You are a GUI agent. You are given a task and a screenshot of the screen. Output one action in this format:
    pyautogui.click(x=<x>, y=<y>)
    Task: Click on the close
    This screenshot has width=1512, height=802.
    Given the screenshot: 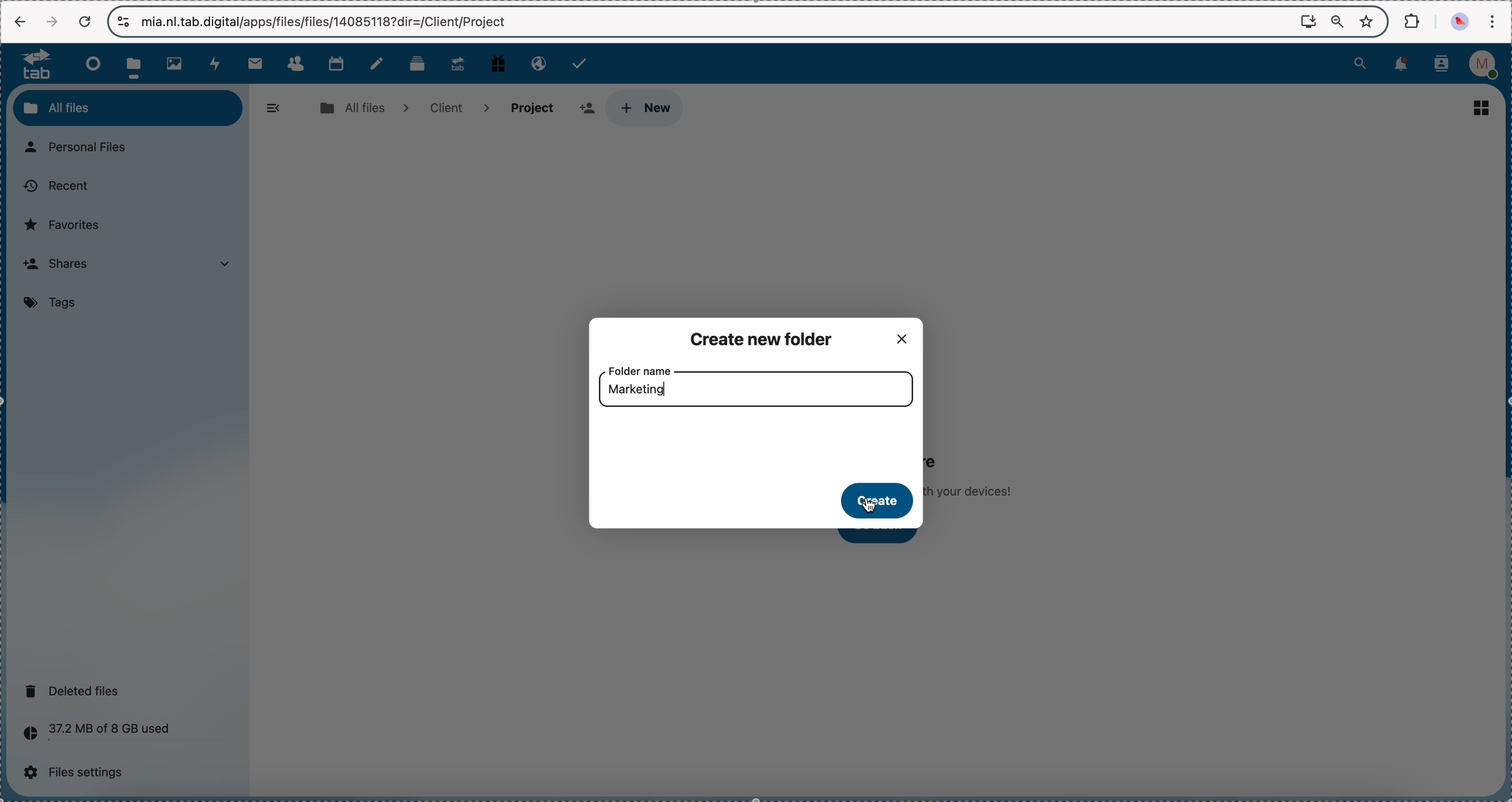 What is the action you would take?
    pyautogui.click(x=906, y=336)
    